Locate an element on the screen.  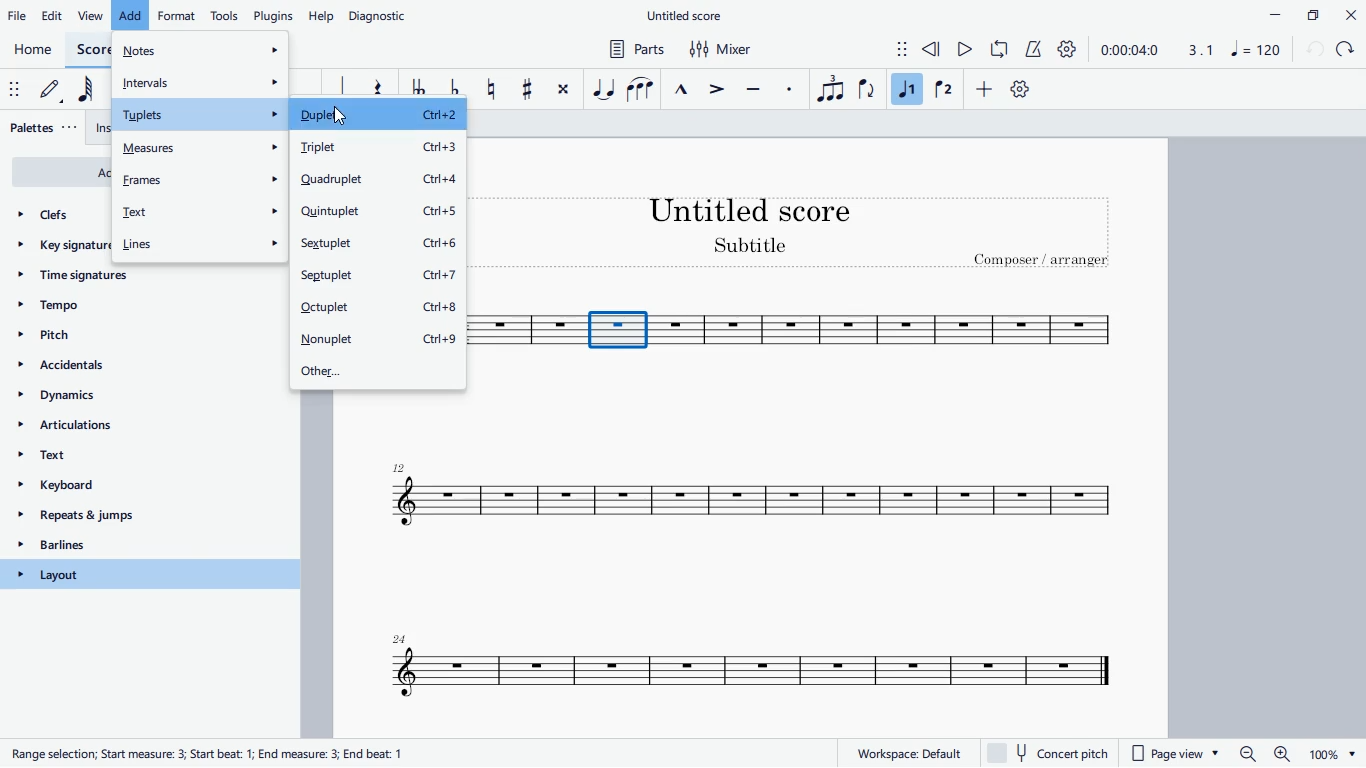
cursor is located at coordinates (338, 116).